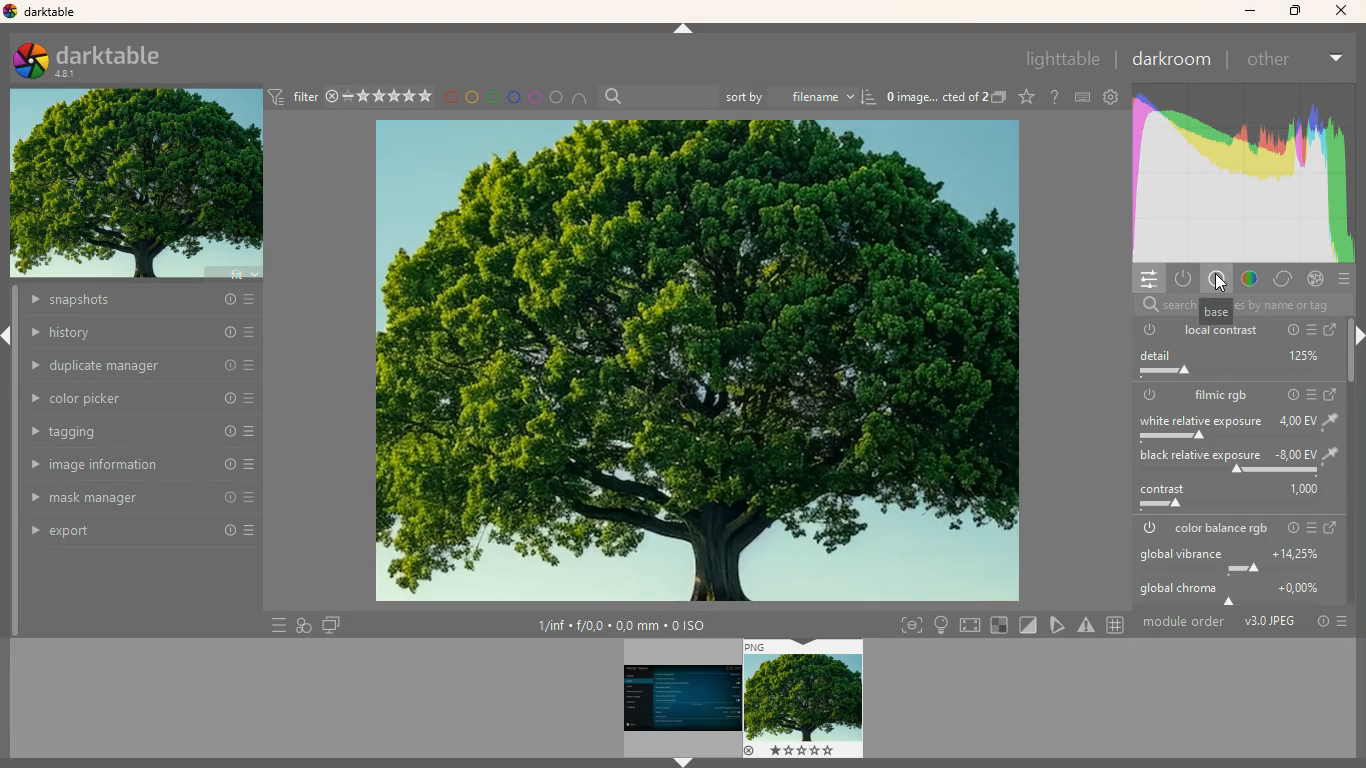  Describe the element at coordinates (1293, 396) in the screenshot. I see `info` at that location.